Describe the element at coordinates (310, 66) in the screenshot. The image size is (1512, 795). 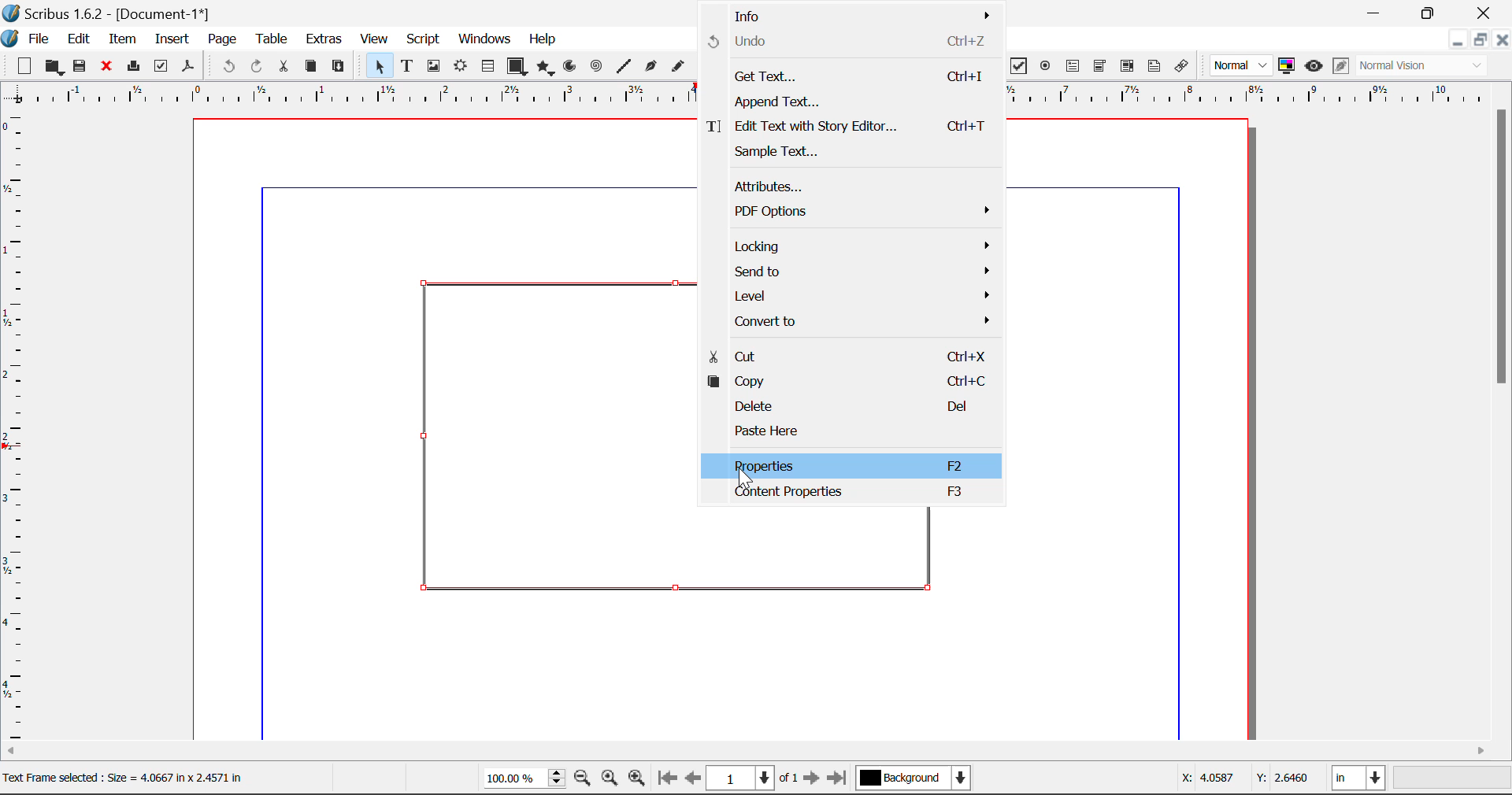
I see `Copy` at that location.